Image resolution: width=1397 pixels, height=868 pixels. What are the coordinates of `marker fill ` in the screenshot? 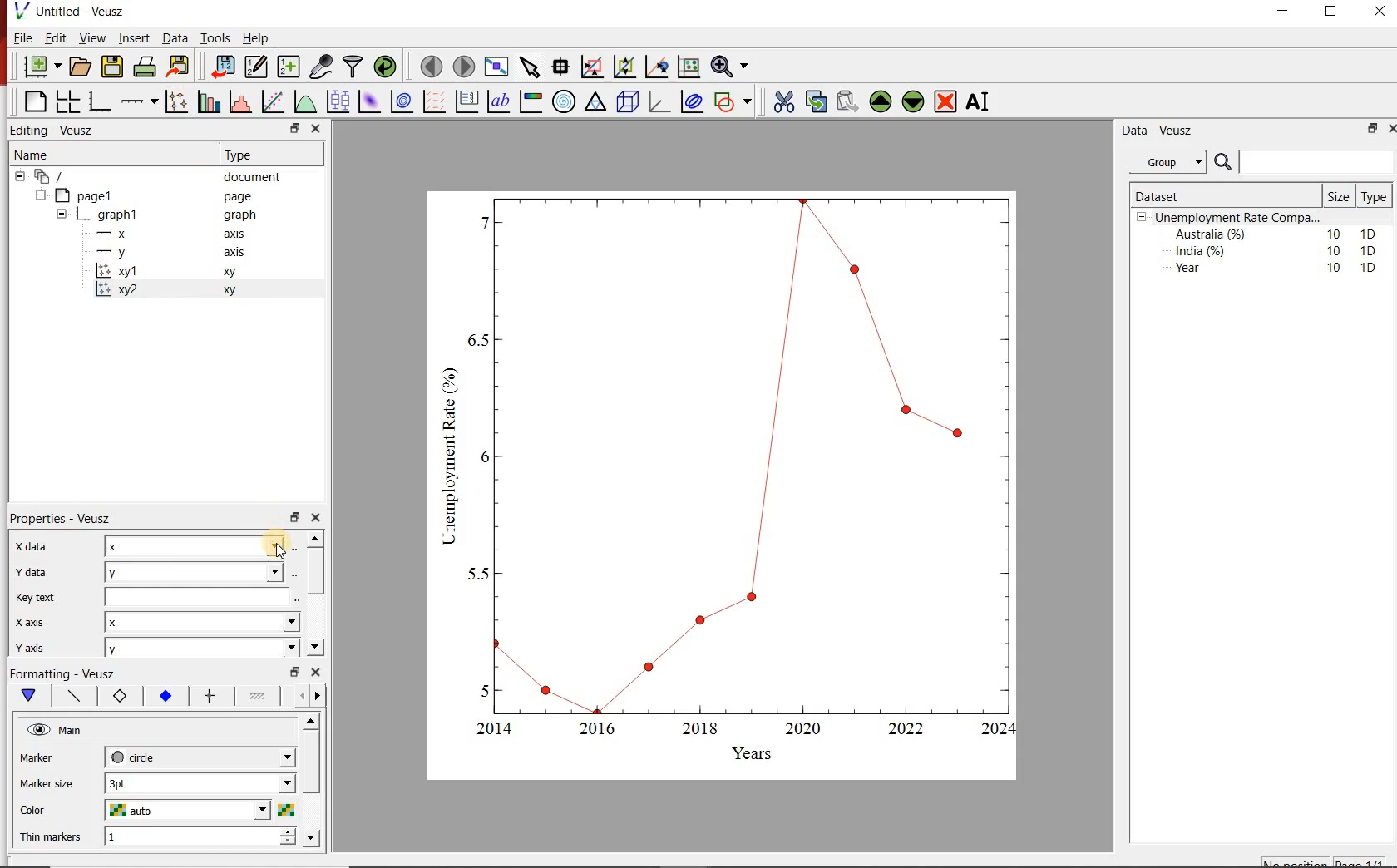 It's located at (166, 697).